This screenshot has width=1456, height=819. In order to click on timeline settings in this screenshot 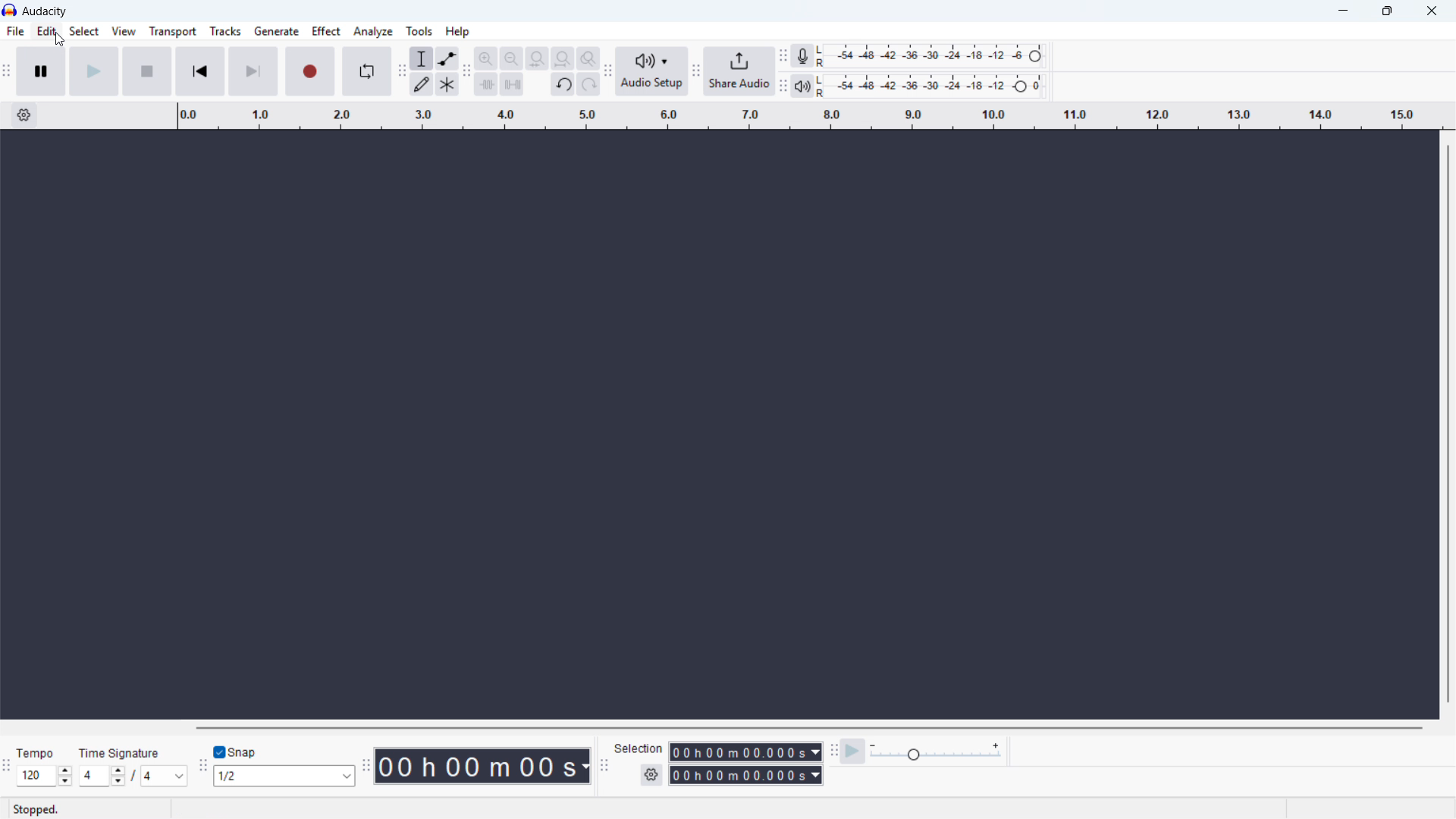, I will do `click(24, 115)`.